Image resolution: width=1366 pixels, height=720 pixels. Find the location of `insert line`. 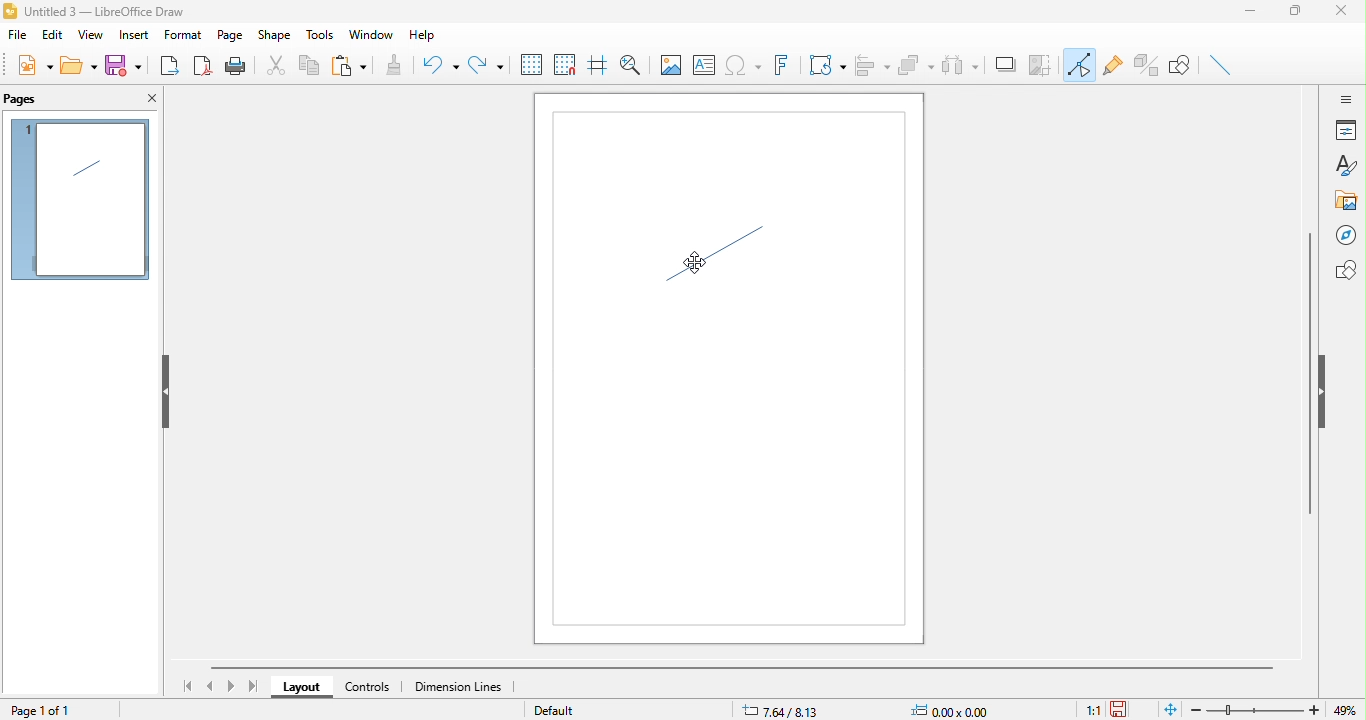

insert line is located at coordinates (1224, 66).